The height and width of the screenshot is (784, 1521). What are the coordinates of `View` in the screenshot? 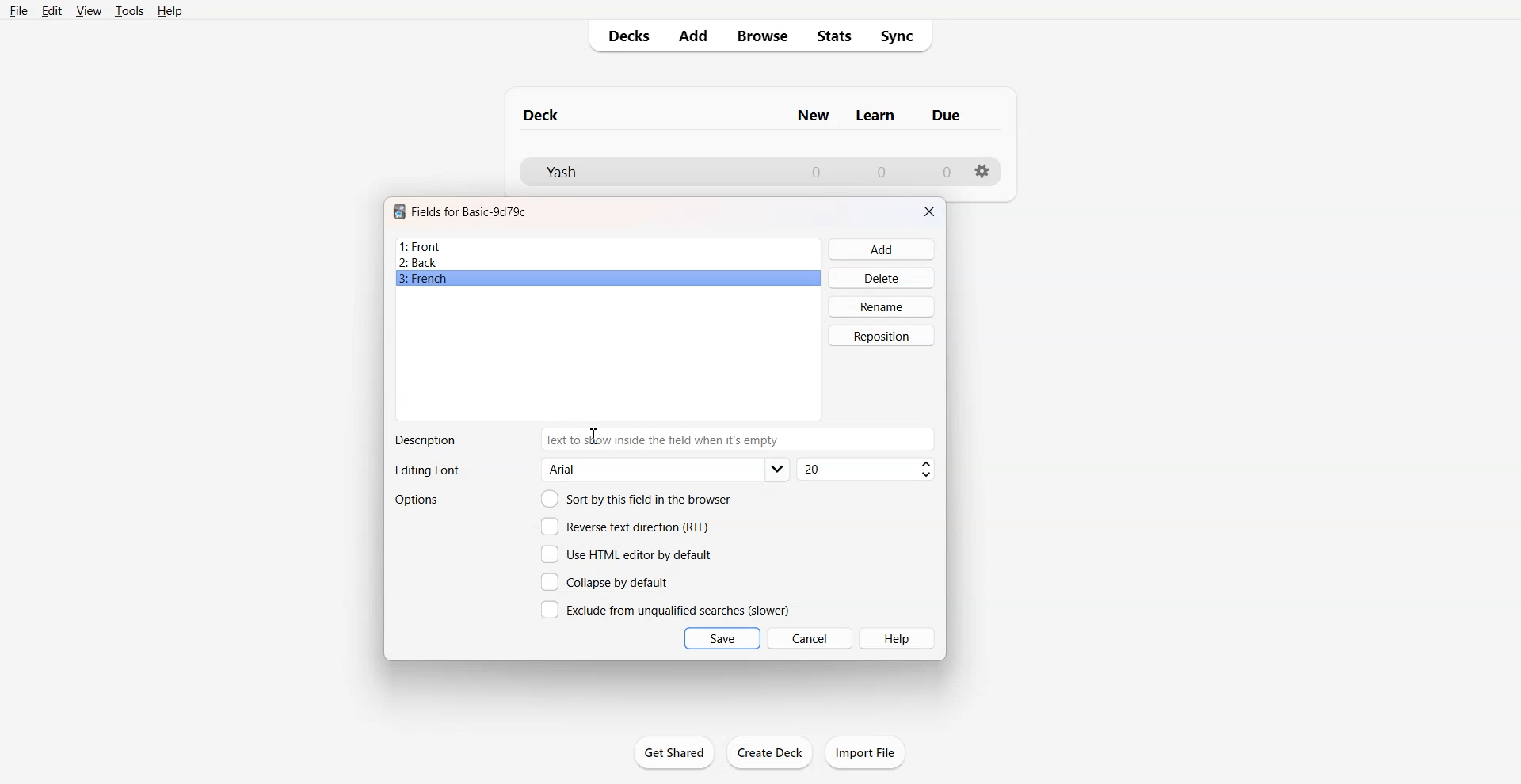 It's located at (90, 10).